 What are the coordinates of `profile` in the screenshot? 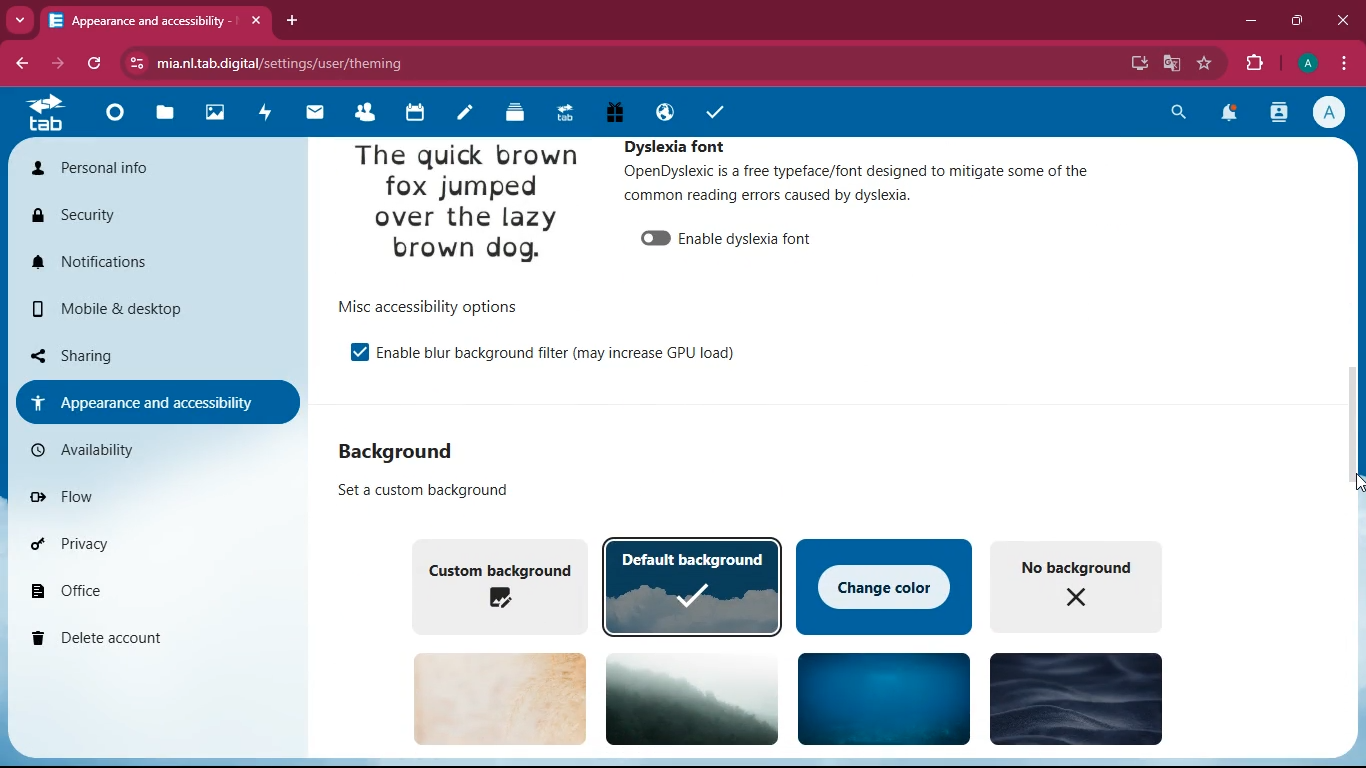 It's located at (1333, 112).